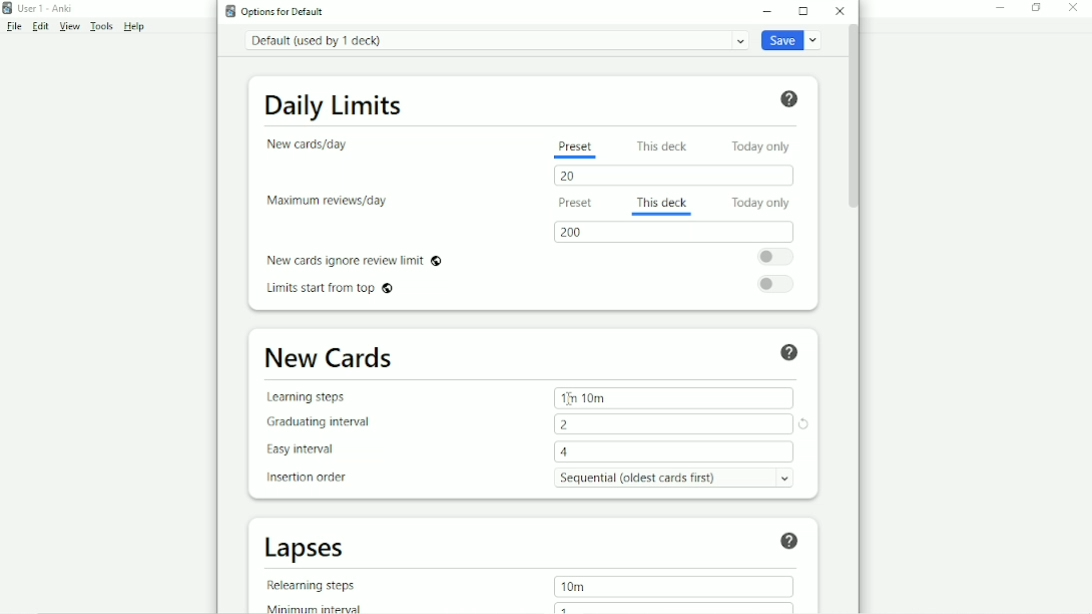  Describe the element at coordinates (135, 27) in the screenshot. I see `Help` at that location.